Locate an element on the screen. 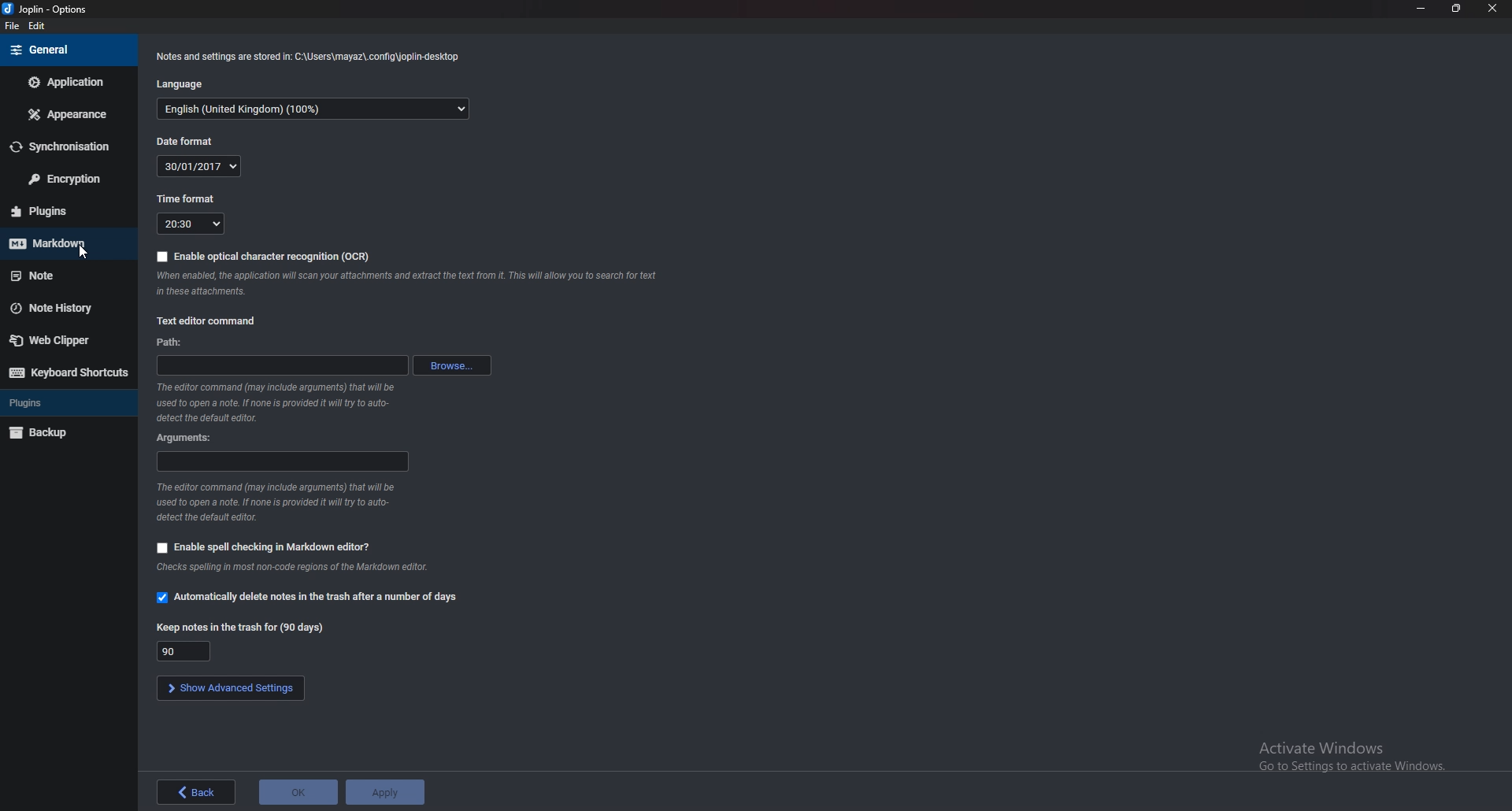 The width and height of the screenshot is (1512, 811). language is located at coordinates (184, 83).